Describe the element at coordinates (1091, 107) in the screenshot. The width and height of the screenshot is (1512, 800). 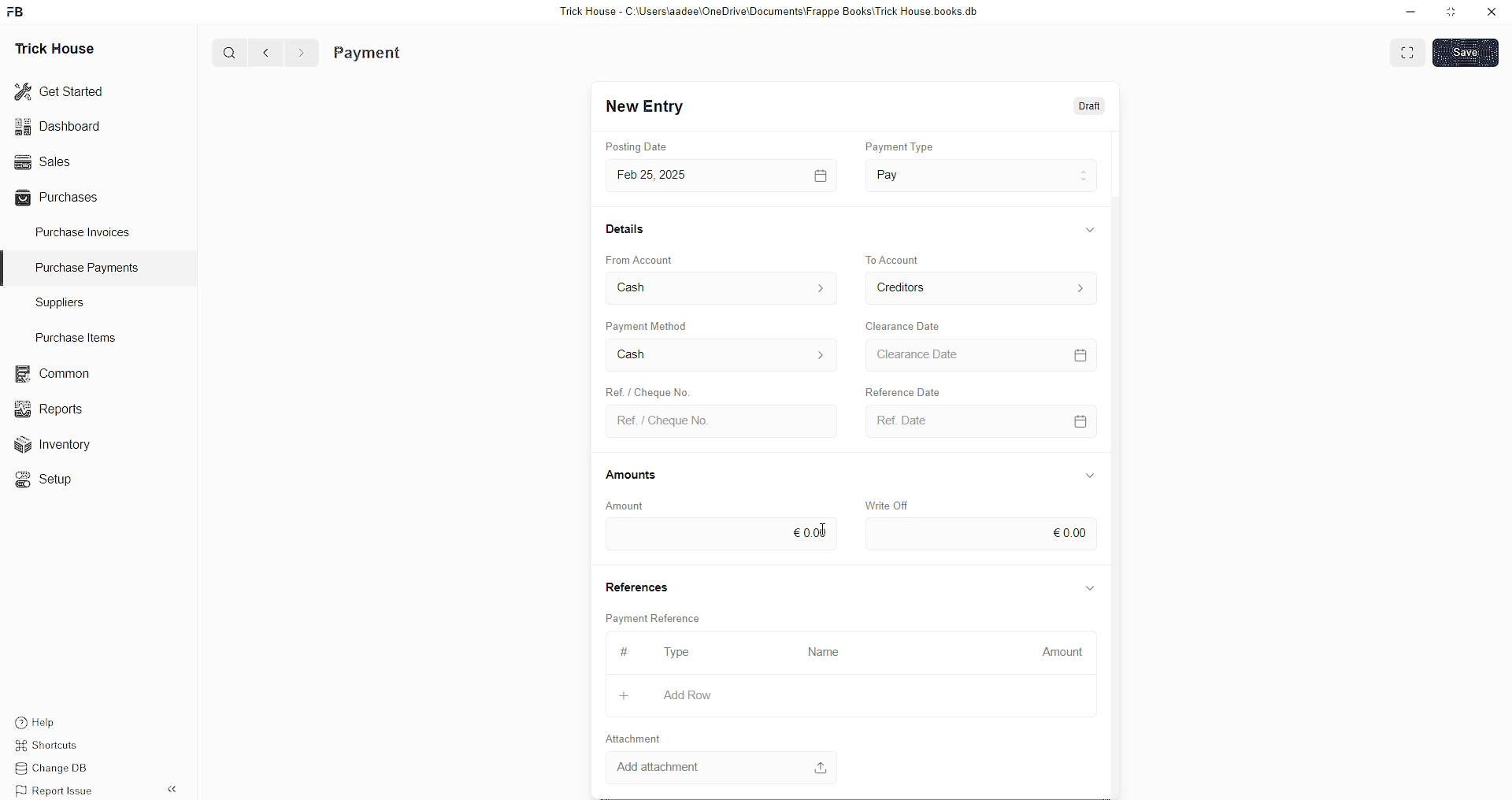
I see `Draft` at that location.